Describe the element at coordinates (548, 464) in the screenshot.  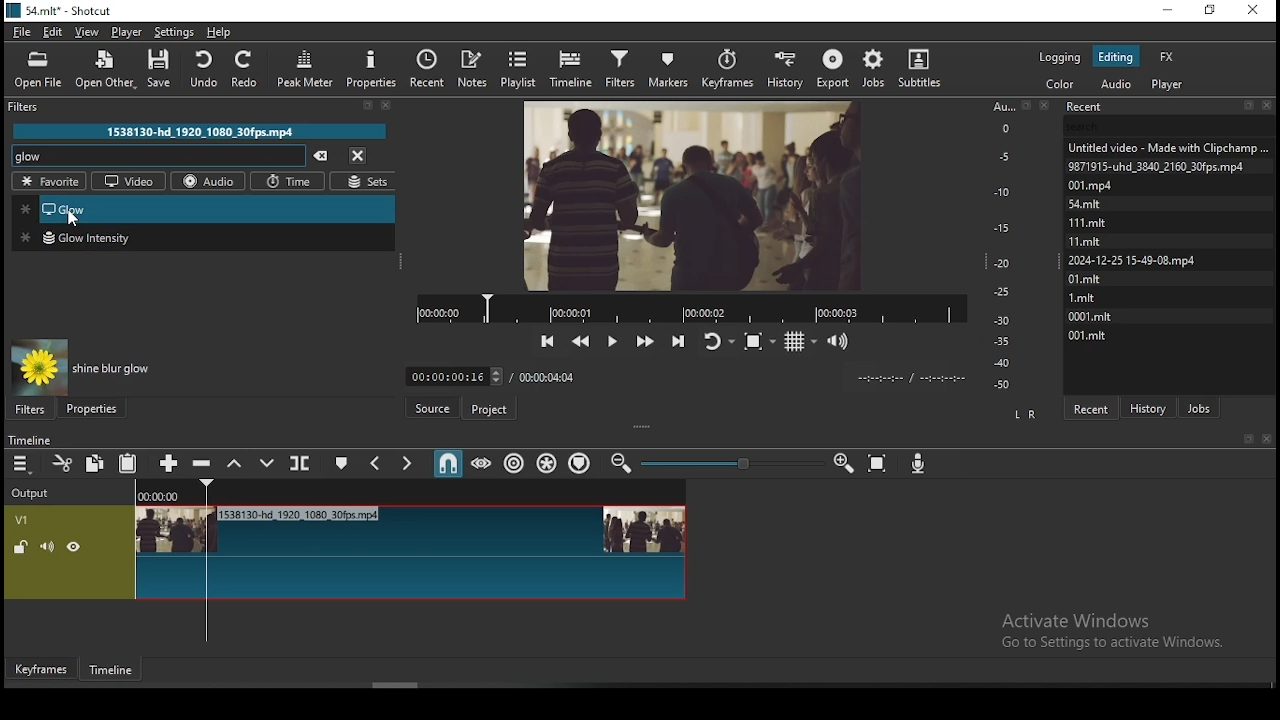
I see `ripple all tracks` at that location.